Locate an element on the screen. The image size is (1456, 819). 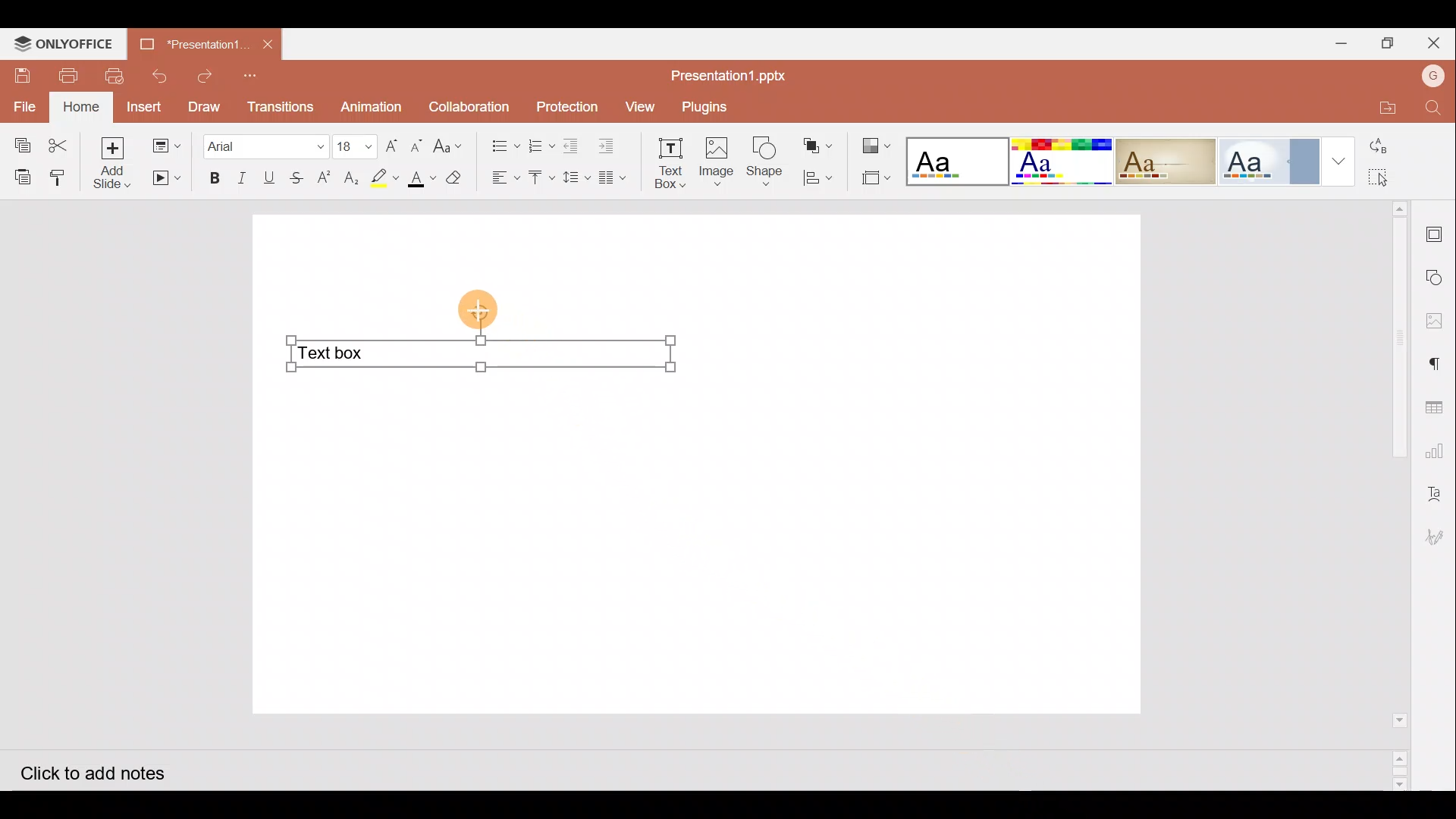
Copy style is located at coordinates (63, 174).